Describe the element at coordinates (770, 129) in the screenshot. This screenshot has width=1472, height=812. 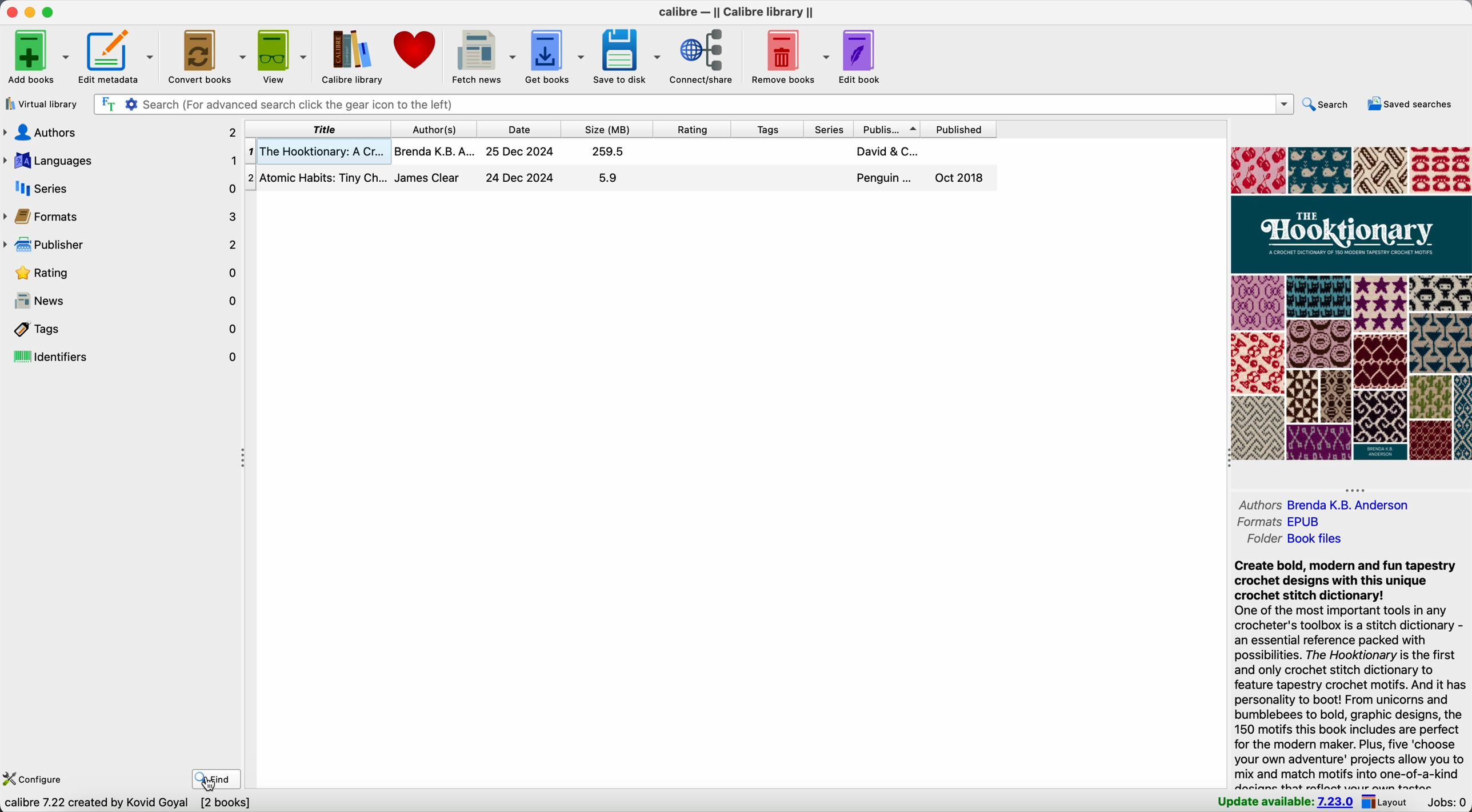
I see `tags` at that location.